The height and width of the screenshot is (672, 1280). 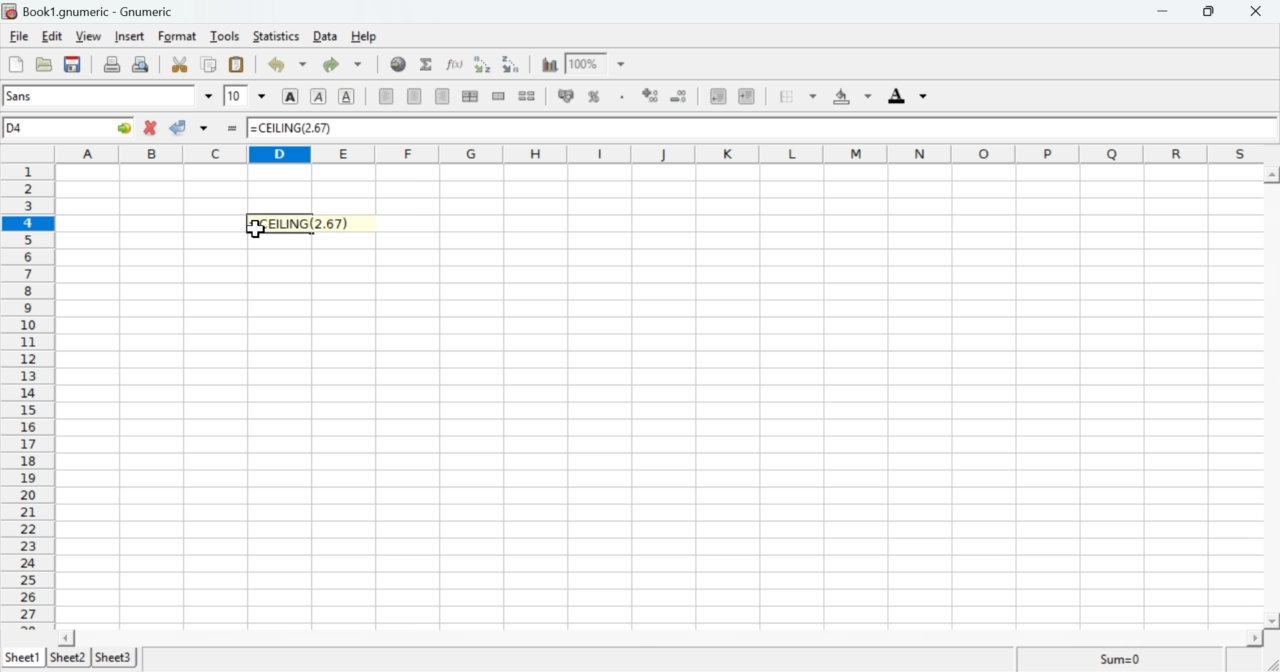 What do you see at coordinates (279, 36) in the screenshot?
I see `Statistics` at bounding box center [279, 36].